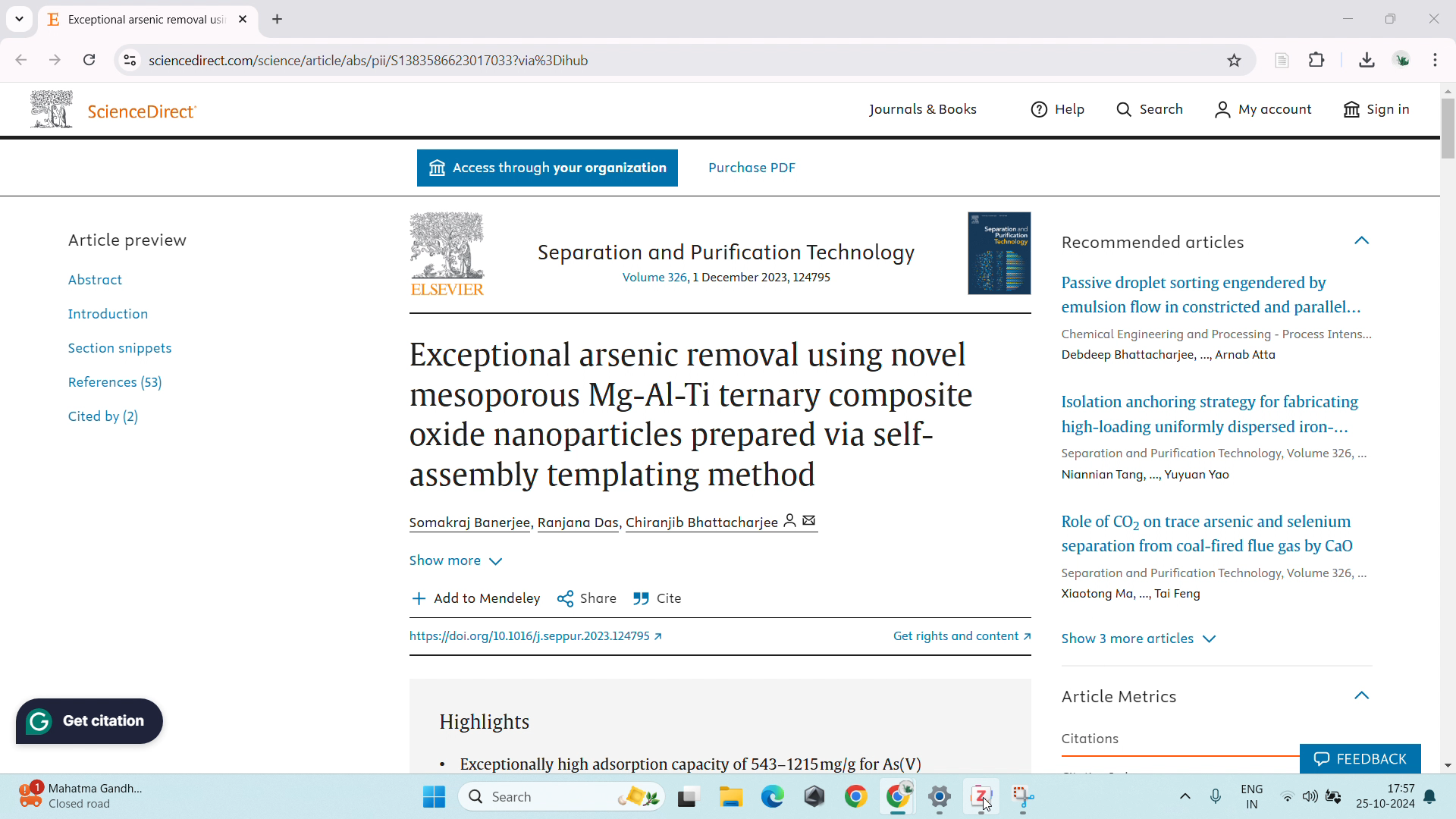  What do you see at coordinates (989, 805) in the screenshot?
I see `cursor` at bounding box center [989, 805].